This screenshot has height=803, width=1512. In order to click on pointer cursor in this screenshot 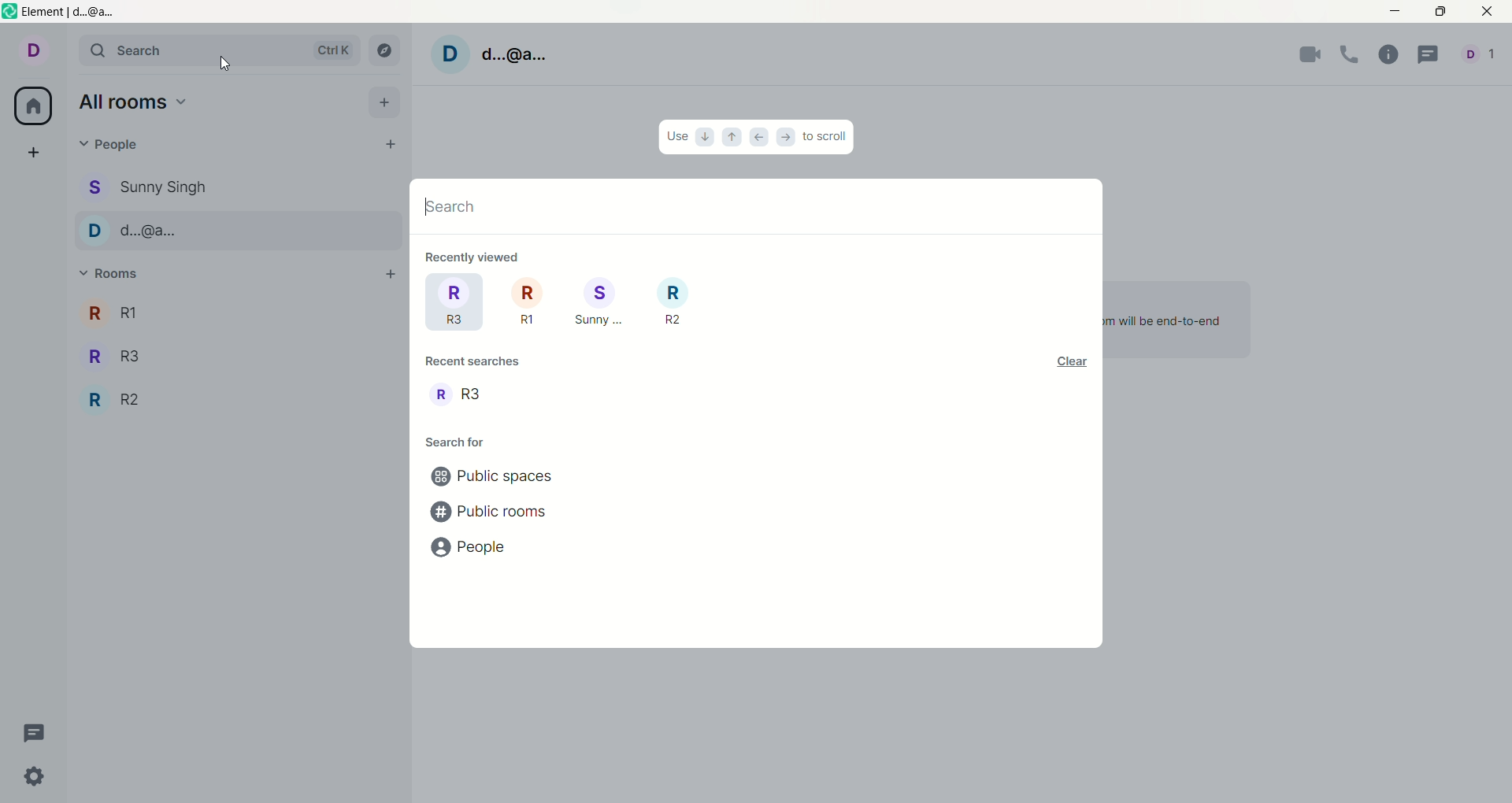, I will do `click(224, 65)`.